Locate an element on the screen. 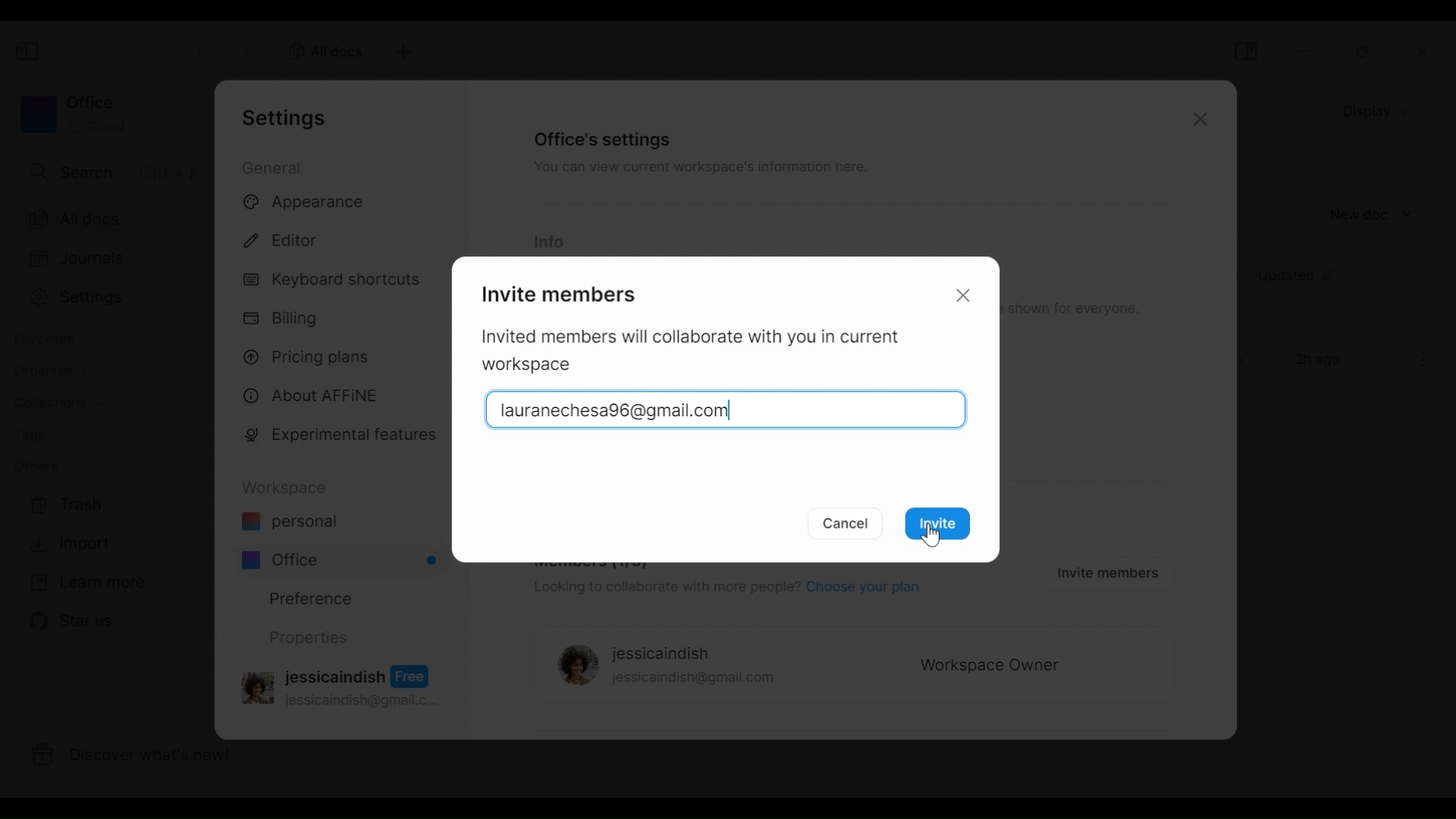 This screenshot has width=1456, height=819. Appearance is located at coordinates (309, 203).